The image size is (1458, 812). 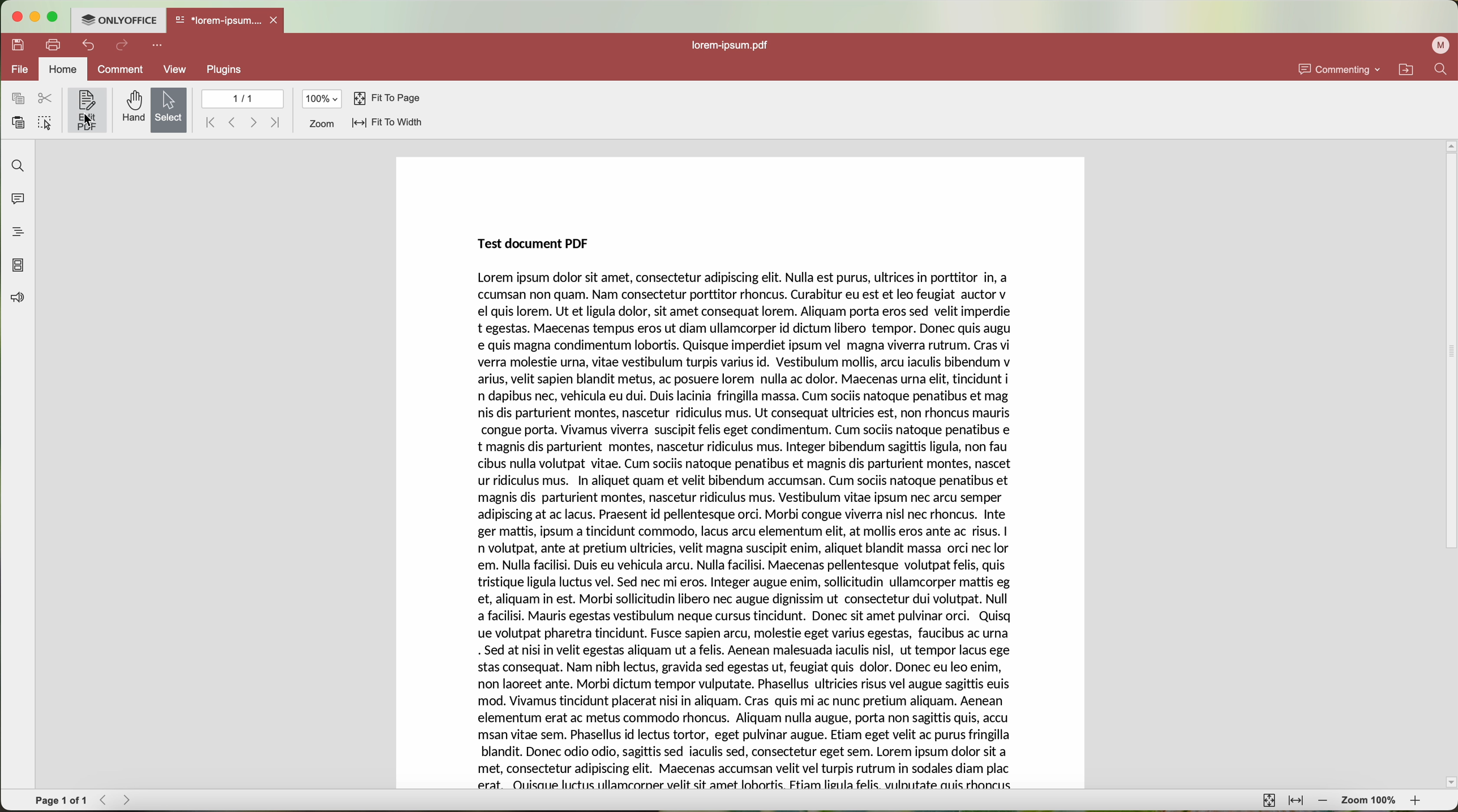 What do you see at coordinates (87, 46) in the screenshot?
I see `undo` at bounding box center [87, 46].